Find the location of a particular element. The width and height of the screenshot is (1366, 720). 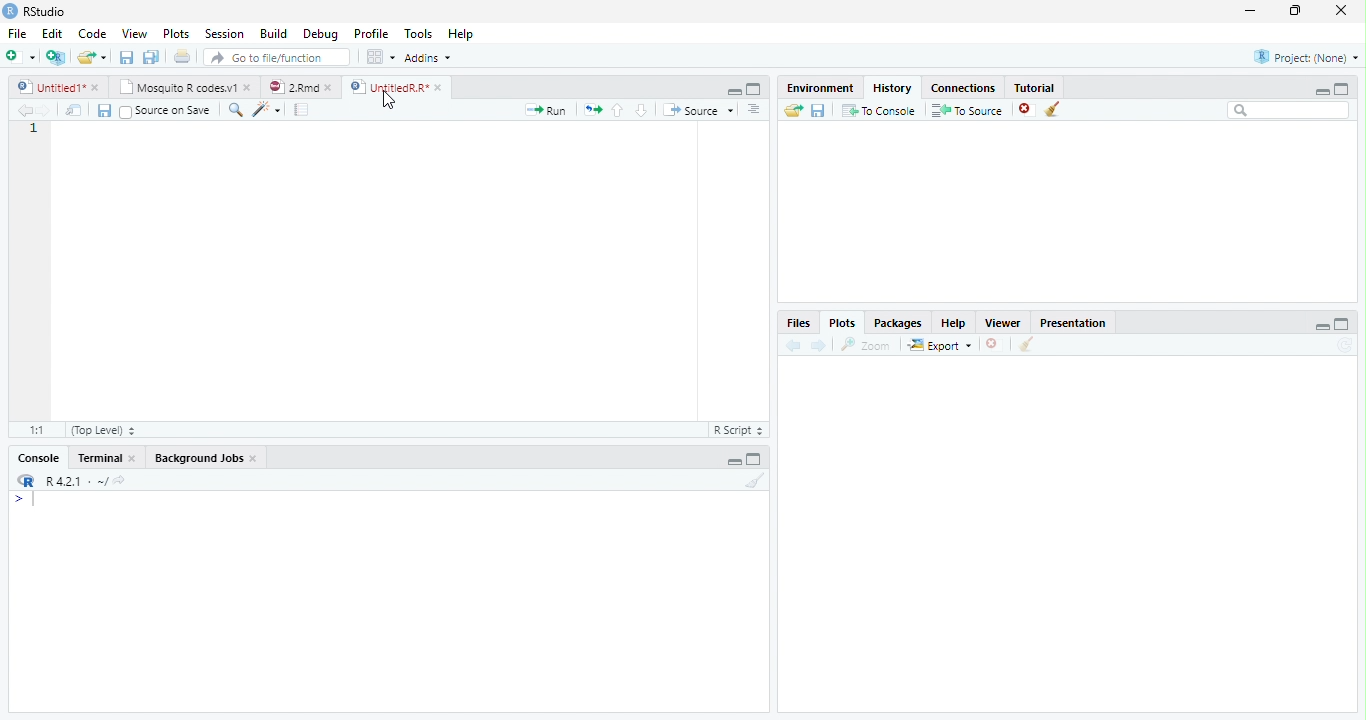

Plots is located at coordinates (843, 322).